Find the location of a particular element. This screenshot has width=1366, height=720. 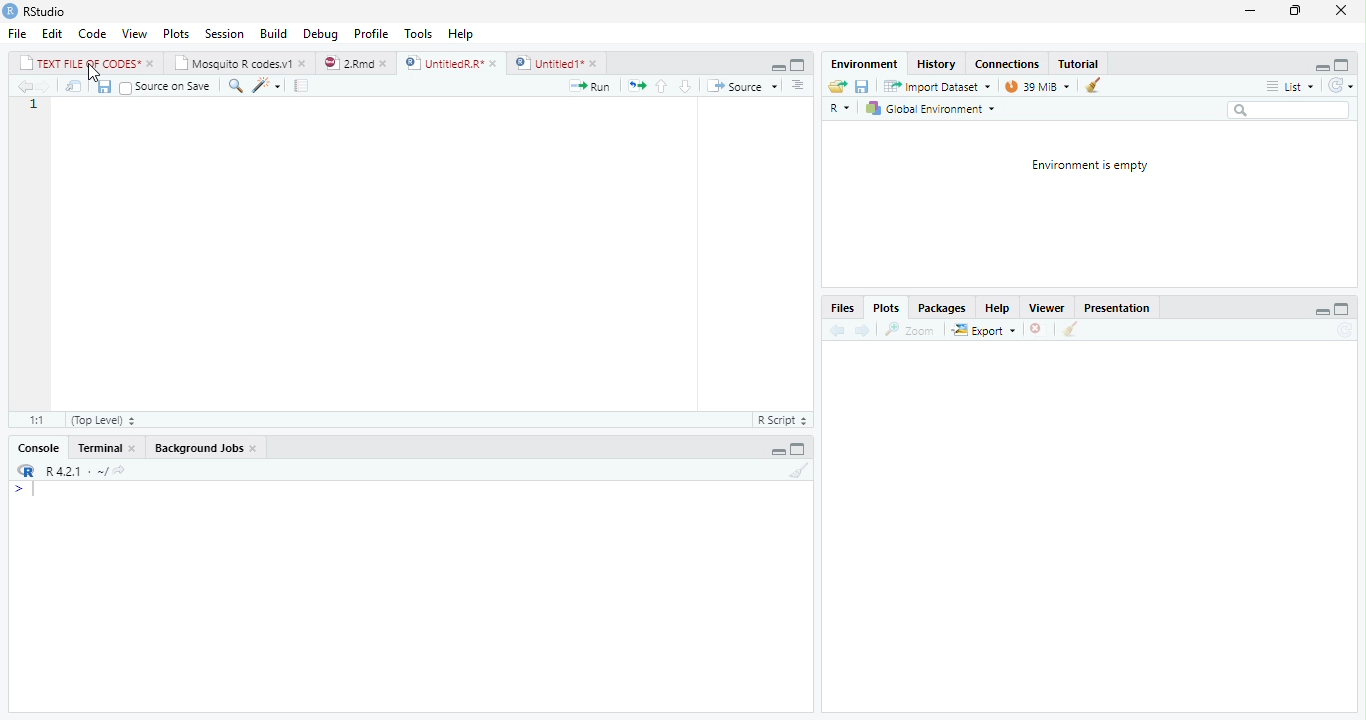

Clean is located at coordinates (795, 471).